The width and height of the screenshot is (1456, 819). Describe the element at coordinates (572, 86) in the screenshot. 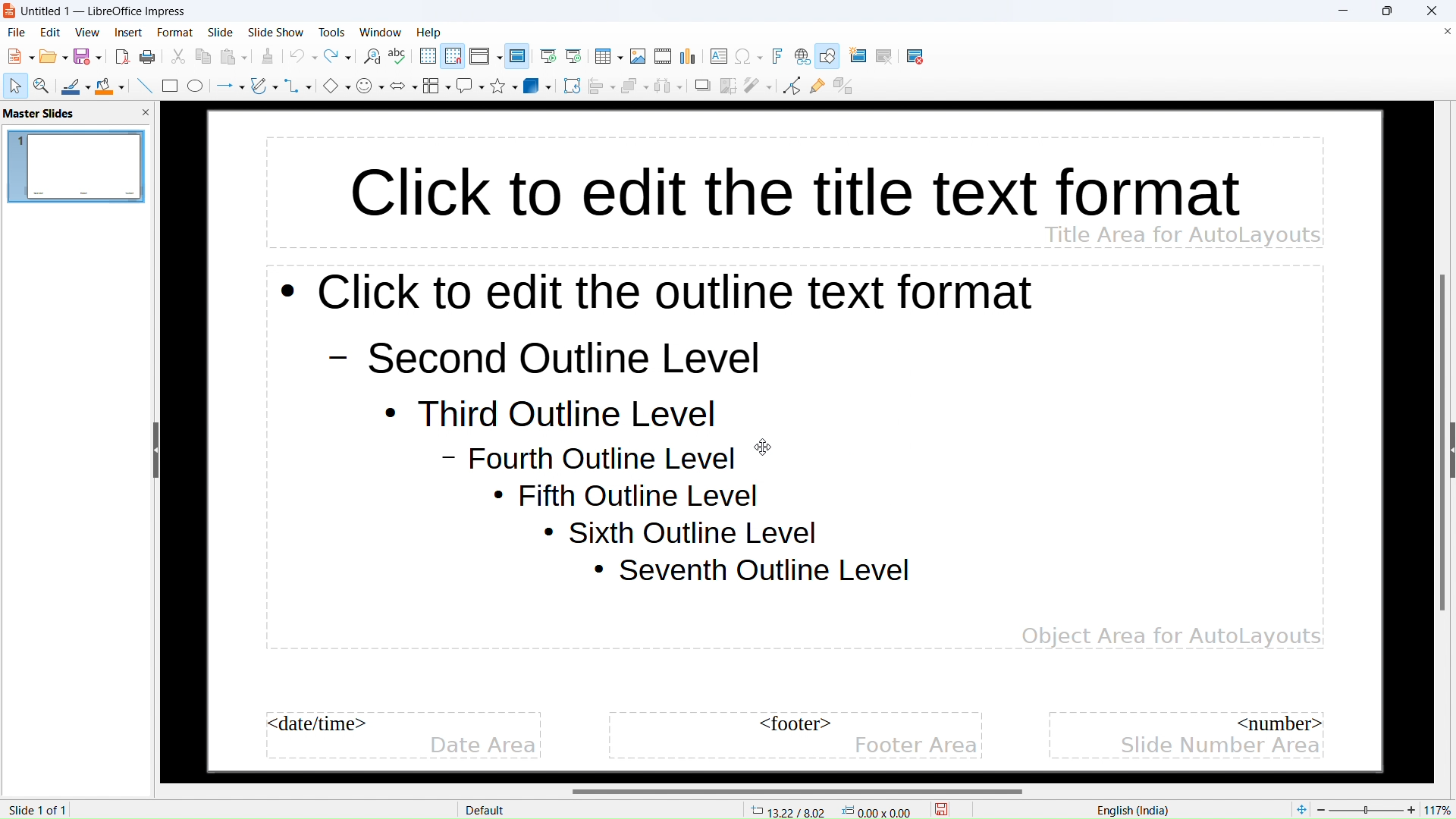

I see `rotate` at that location.